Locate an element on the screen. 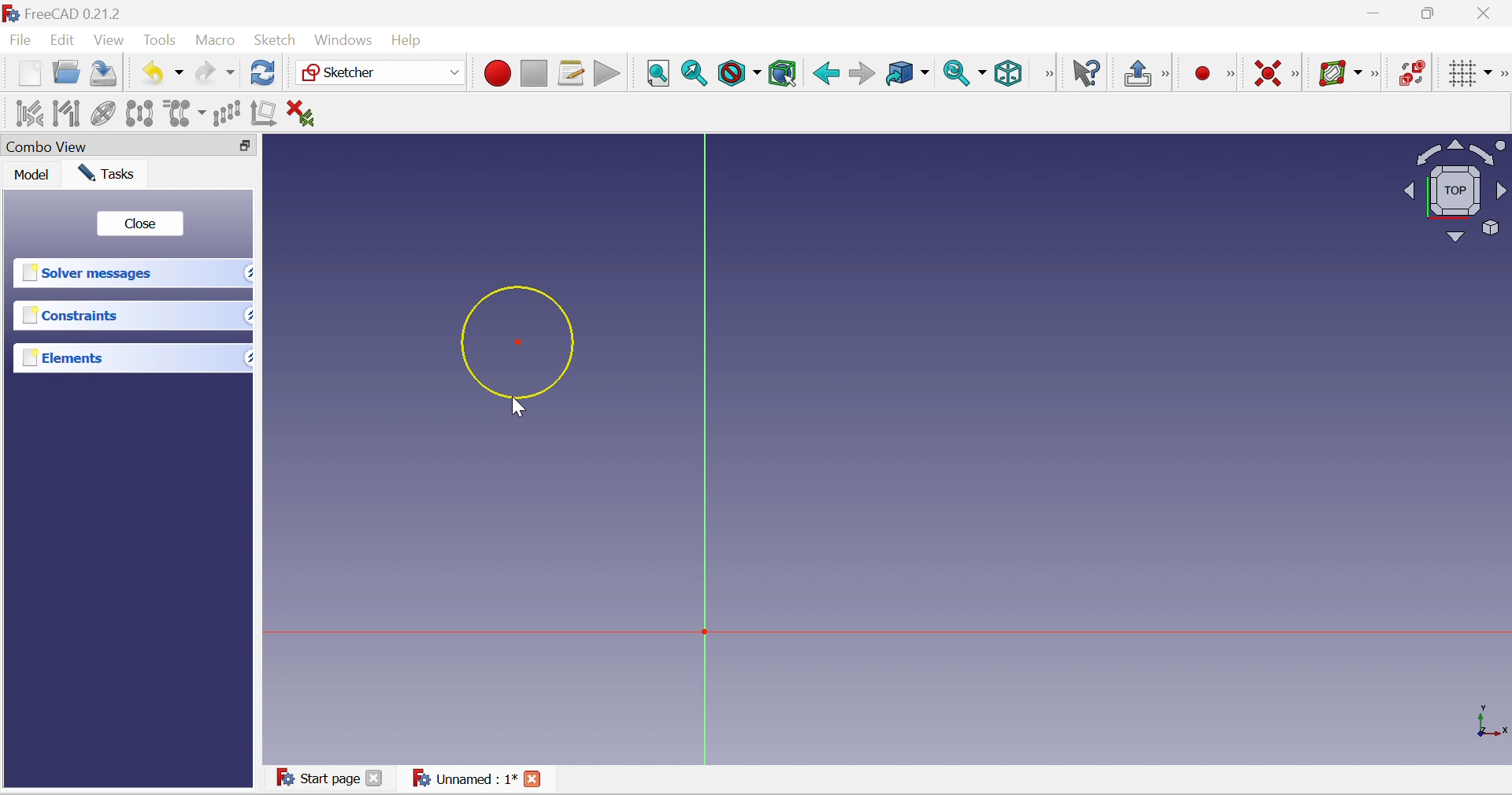 This screenshot has width=1512, height=795. Fit selection is located at coordinates (693, 72).